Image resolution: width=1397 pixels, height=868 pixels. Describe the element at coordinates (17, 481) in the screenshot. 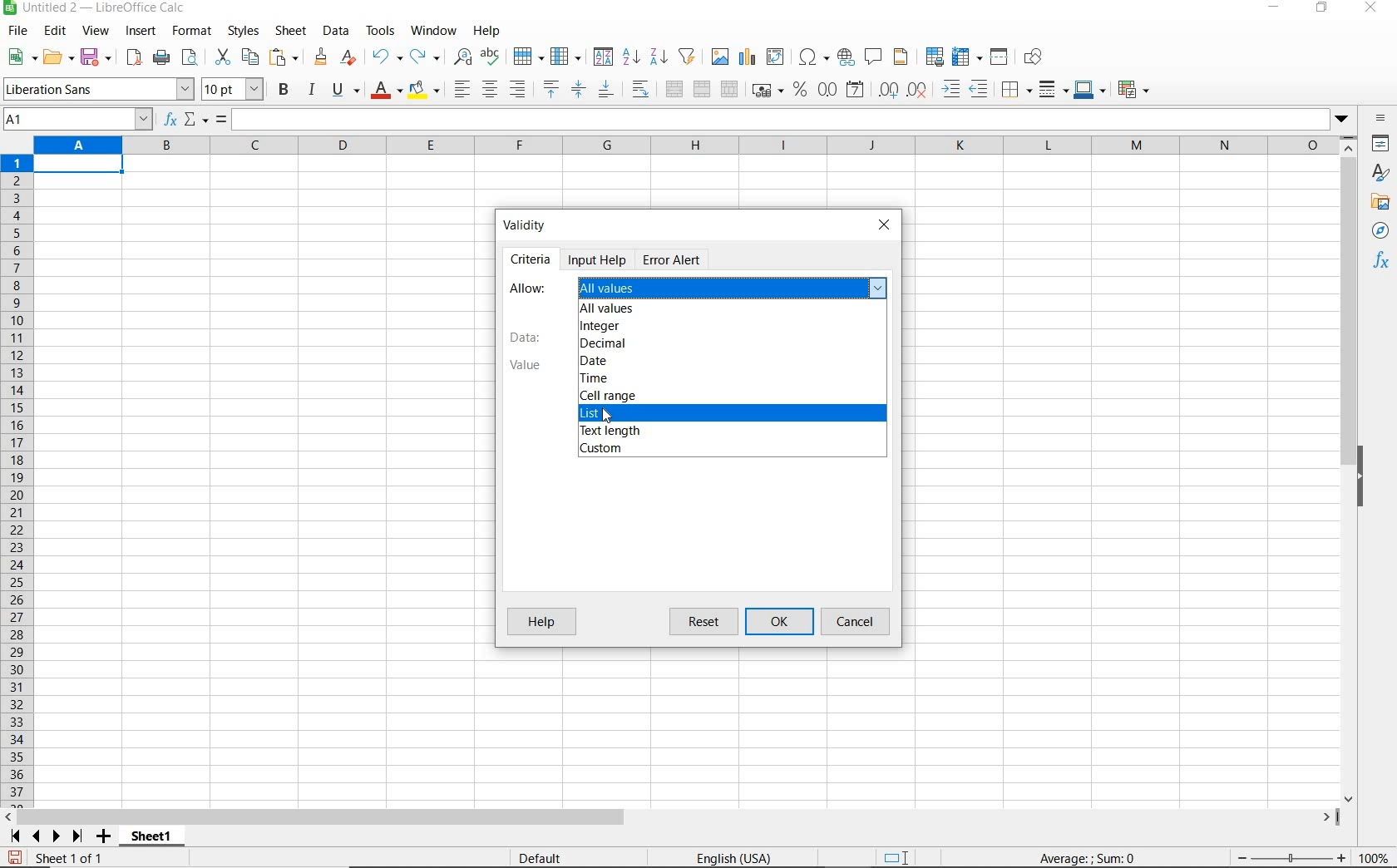

I see `rows` at that location.